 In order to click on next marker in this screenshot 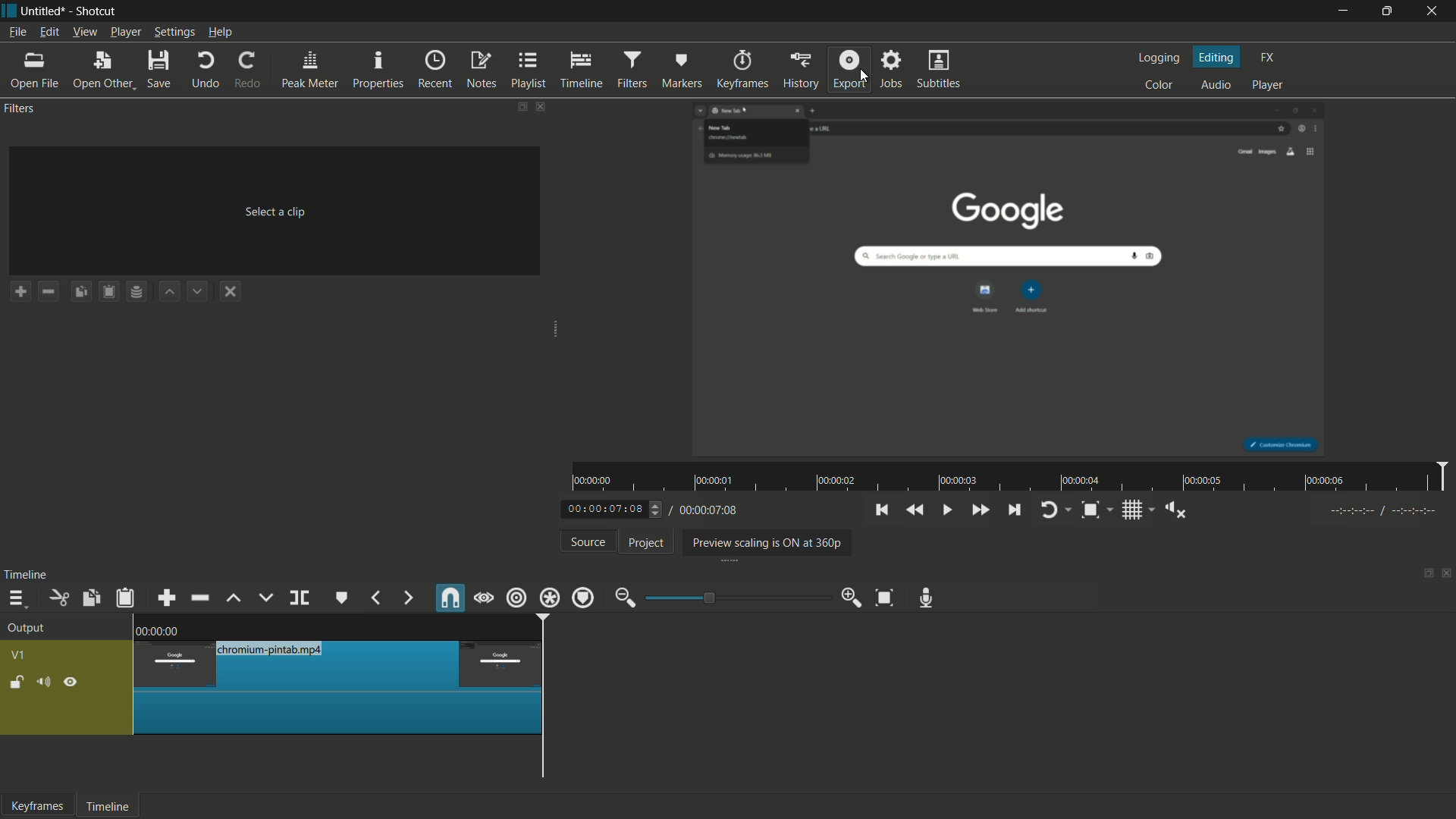, I will do `click(409, 599)`.